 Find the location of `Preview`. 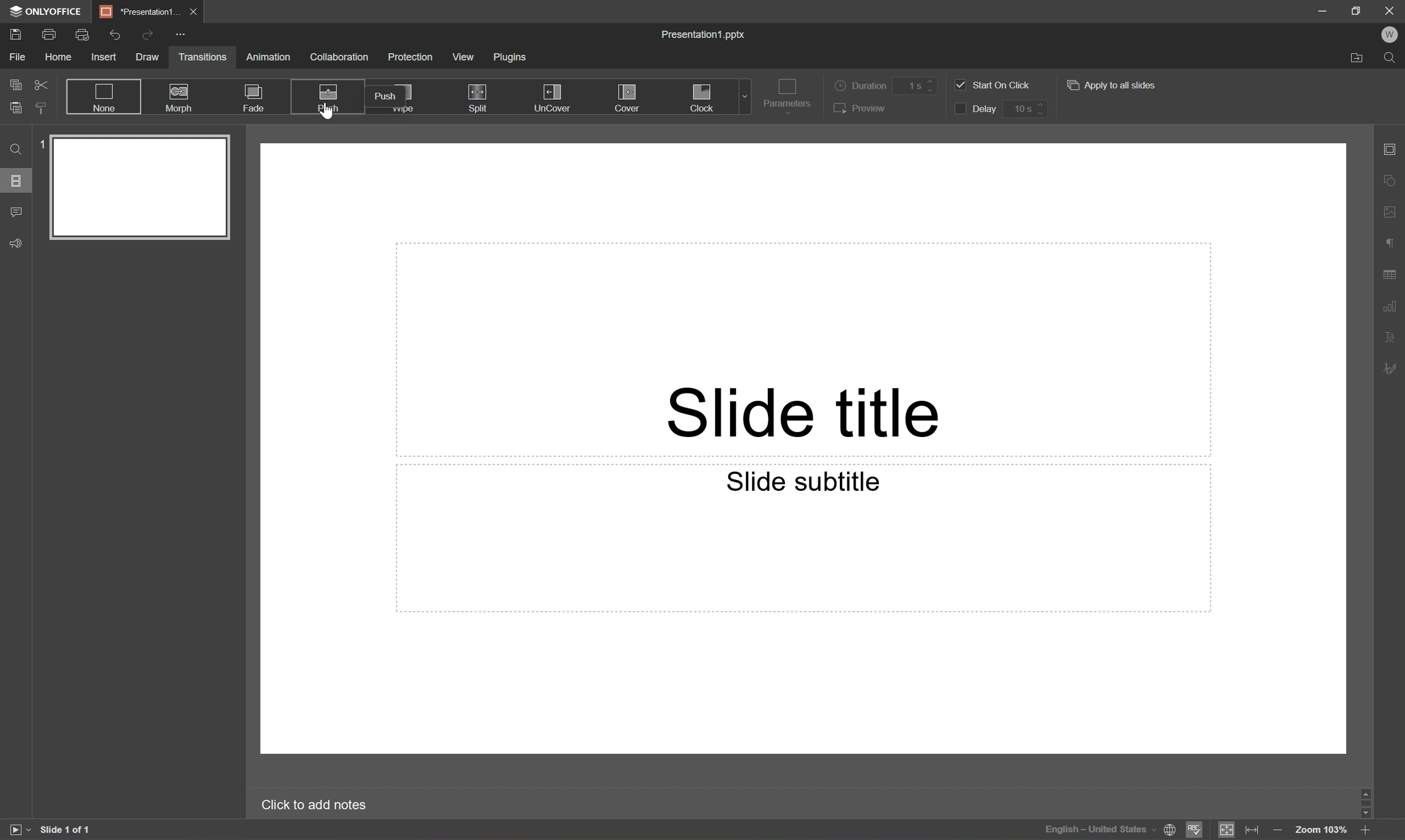

Preview is located at coordinates (861, 108).